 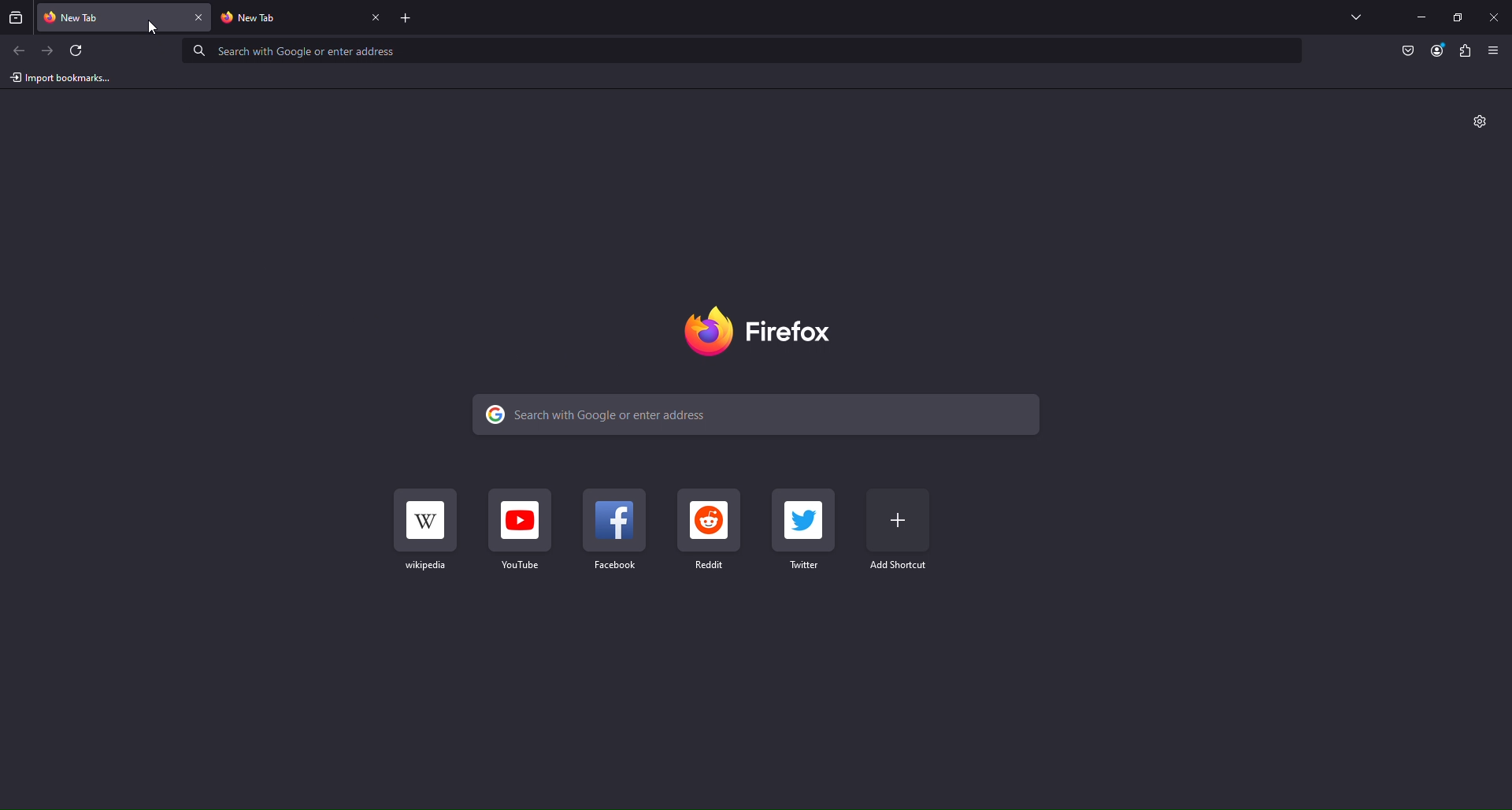 What do you see at coordinates (81, 51) in the screenshot?
I see `Refresh` at bounding box center [81, 51].